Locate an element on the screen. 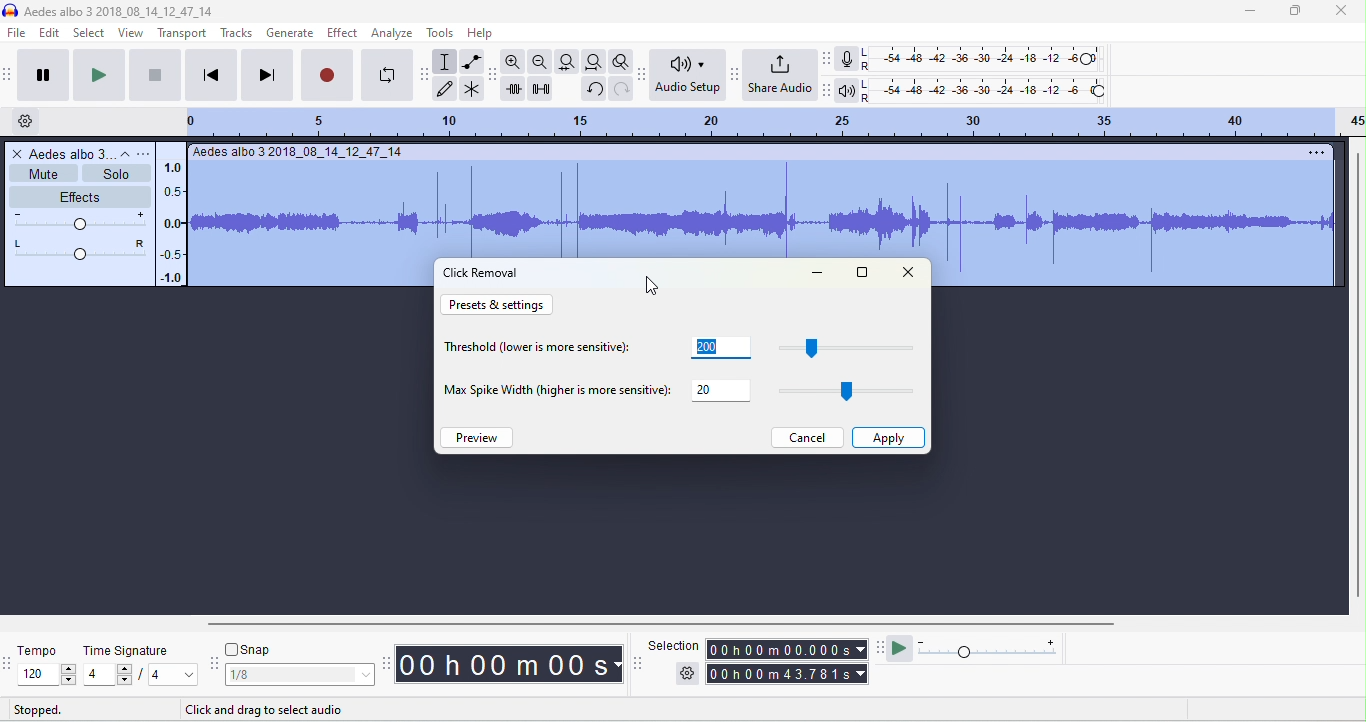  cursor is located at coordinates (651, 284).